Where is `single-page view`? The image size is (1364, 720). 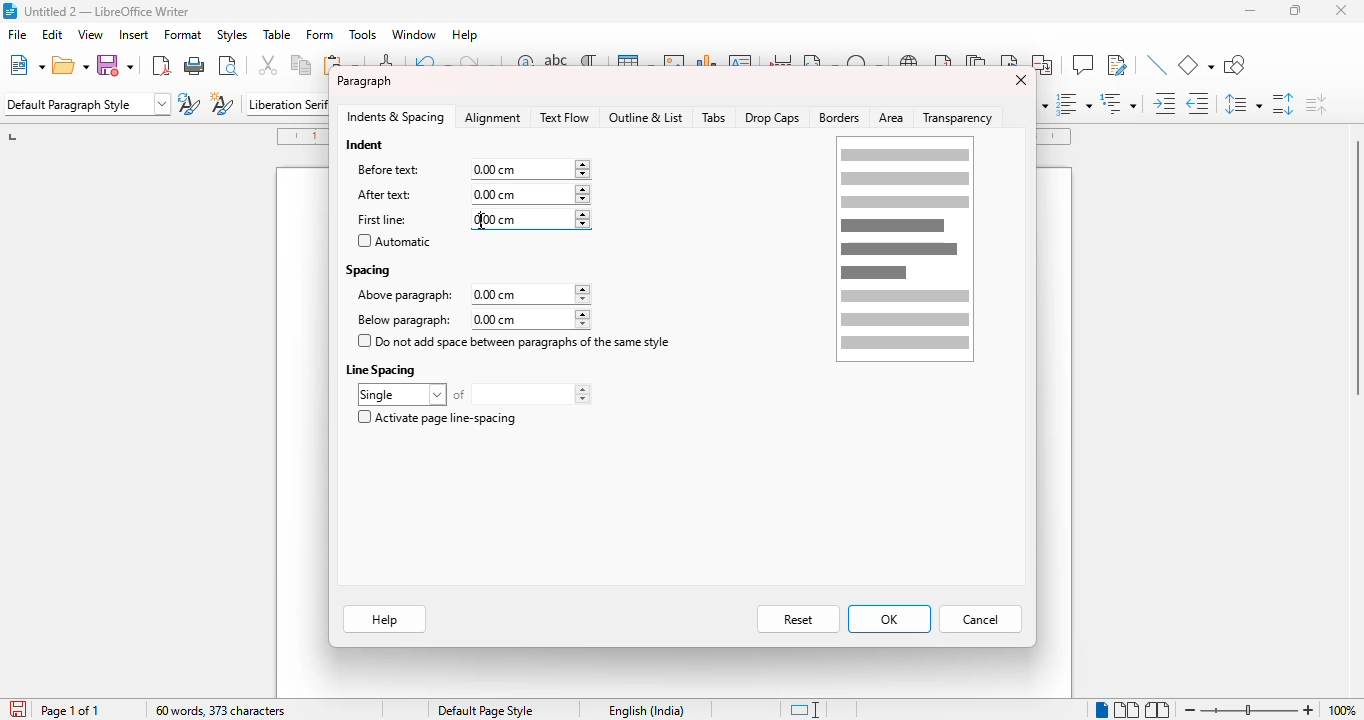
single-page view is located at coordinates (1101, 710).